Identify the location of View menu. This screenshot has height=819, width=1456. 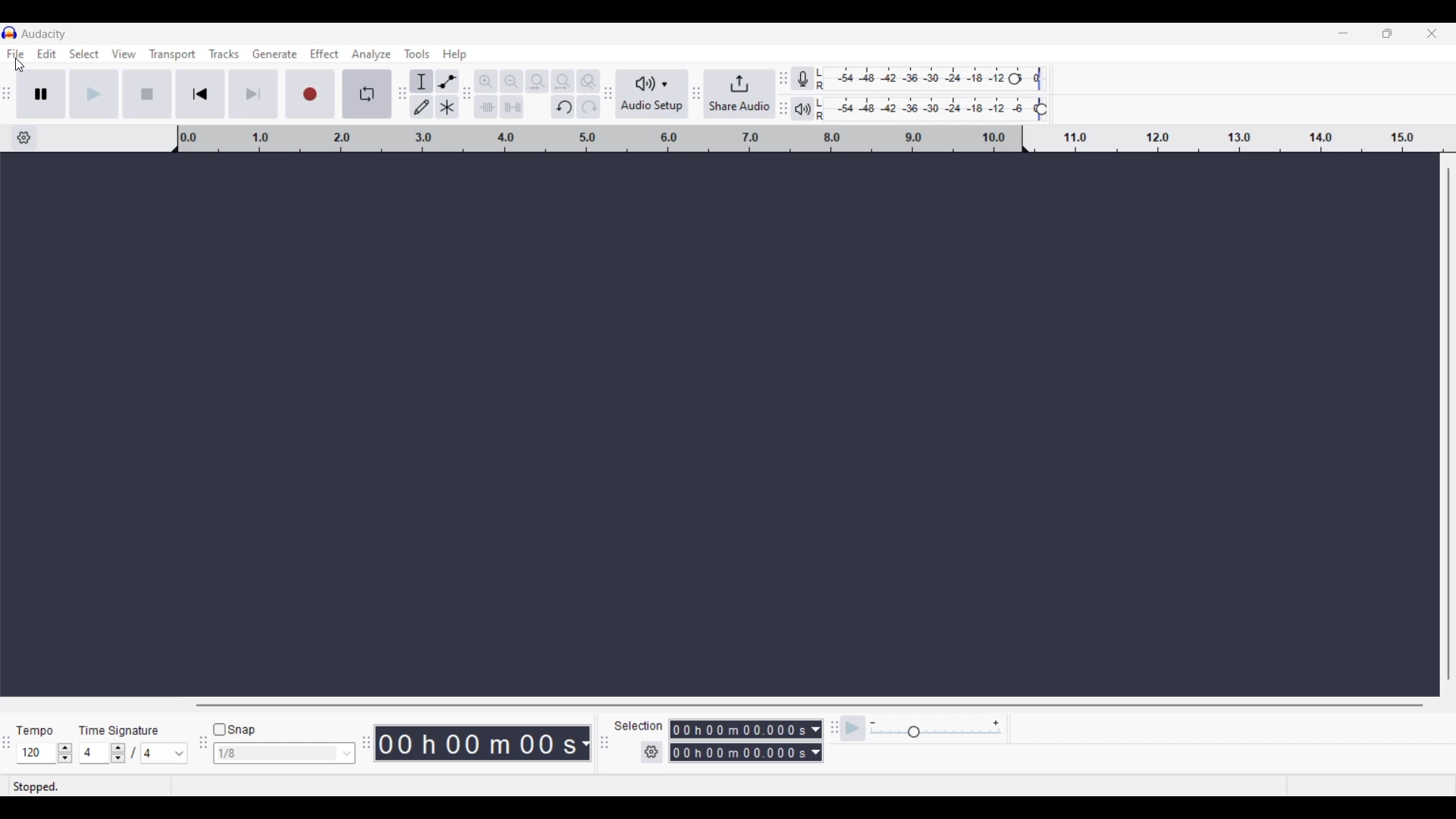
(124, 53).